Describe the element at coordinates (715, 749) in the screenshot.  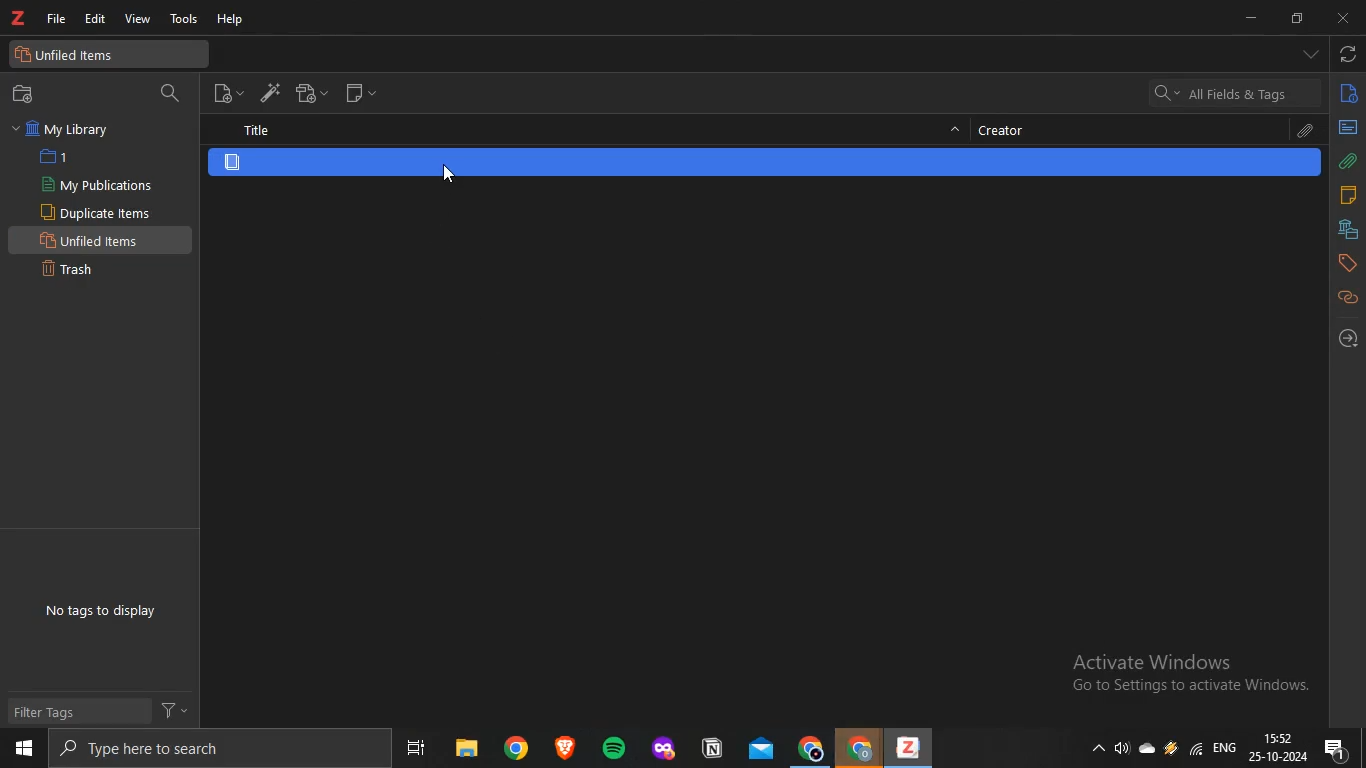
I see `application` at that location.